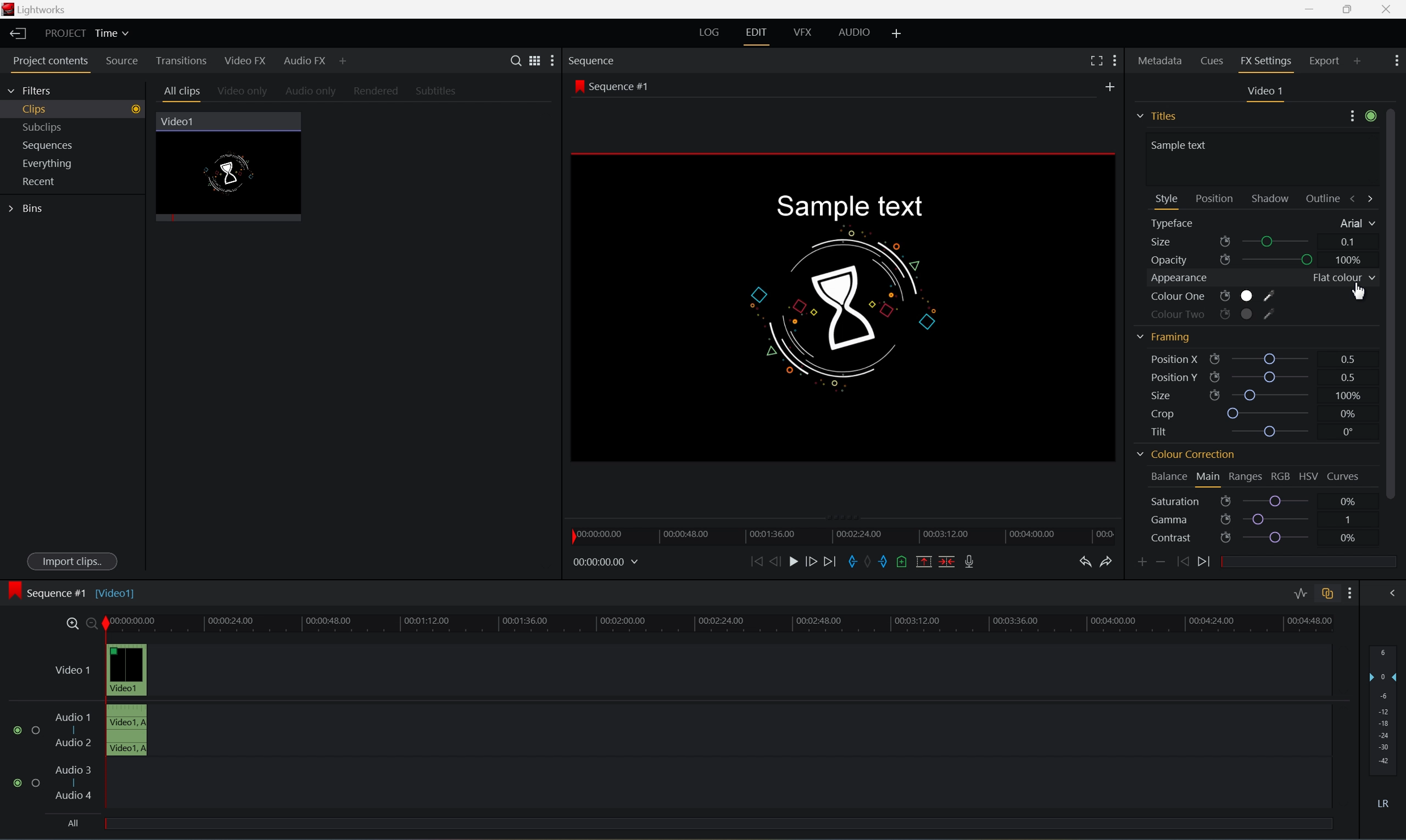 The width and height of the screenshot is (1406, 840). What do you see at coordinates (1355, 224) in the screenshot?
I see `arial` at bounding box center [1355, 224].